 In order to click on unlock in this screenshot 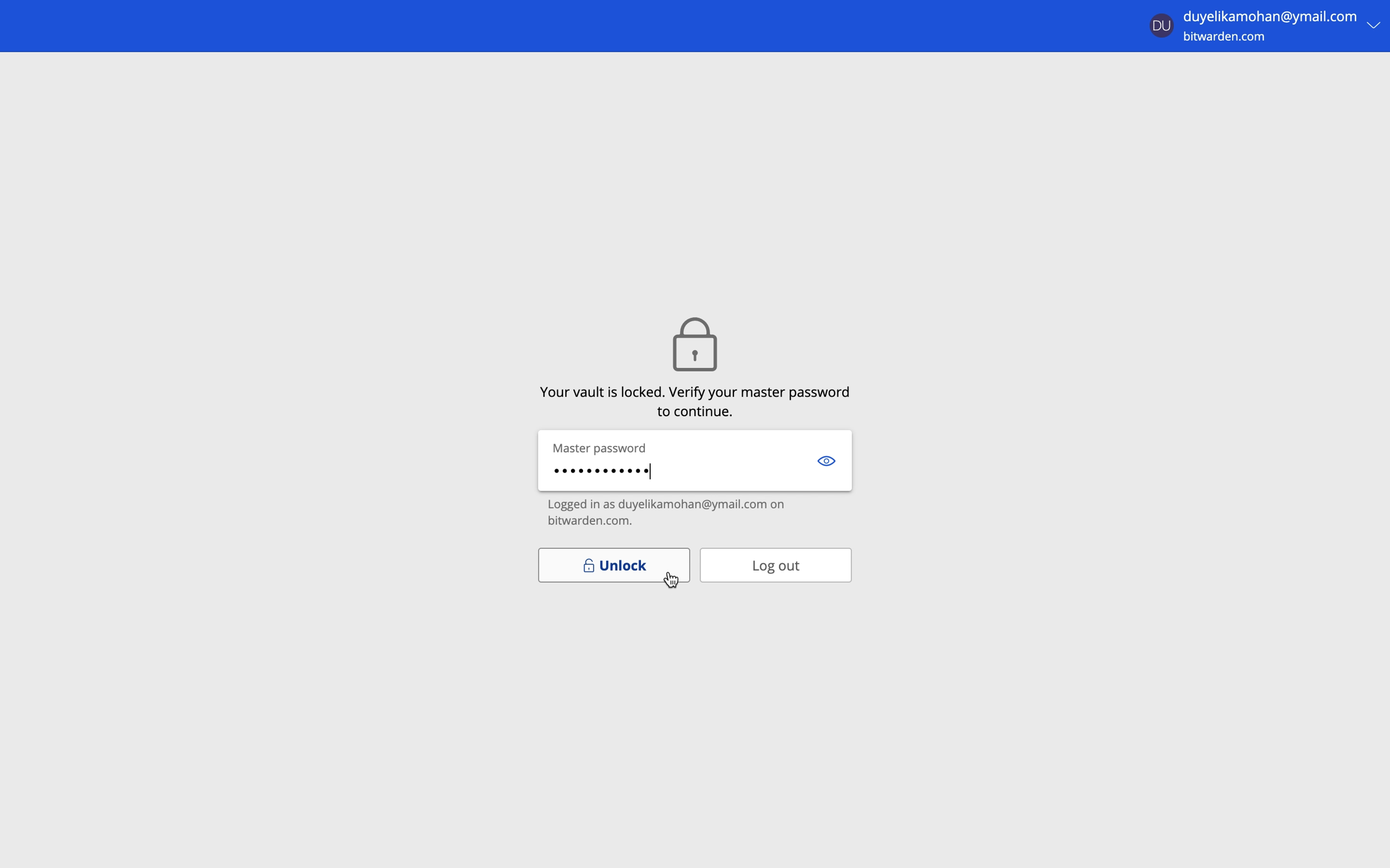, I will do `click(613, 565)`.